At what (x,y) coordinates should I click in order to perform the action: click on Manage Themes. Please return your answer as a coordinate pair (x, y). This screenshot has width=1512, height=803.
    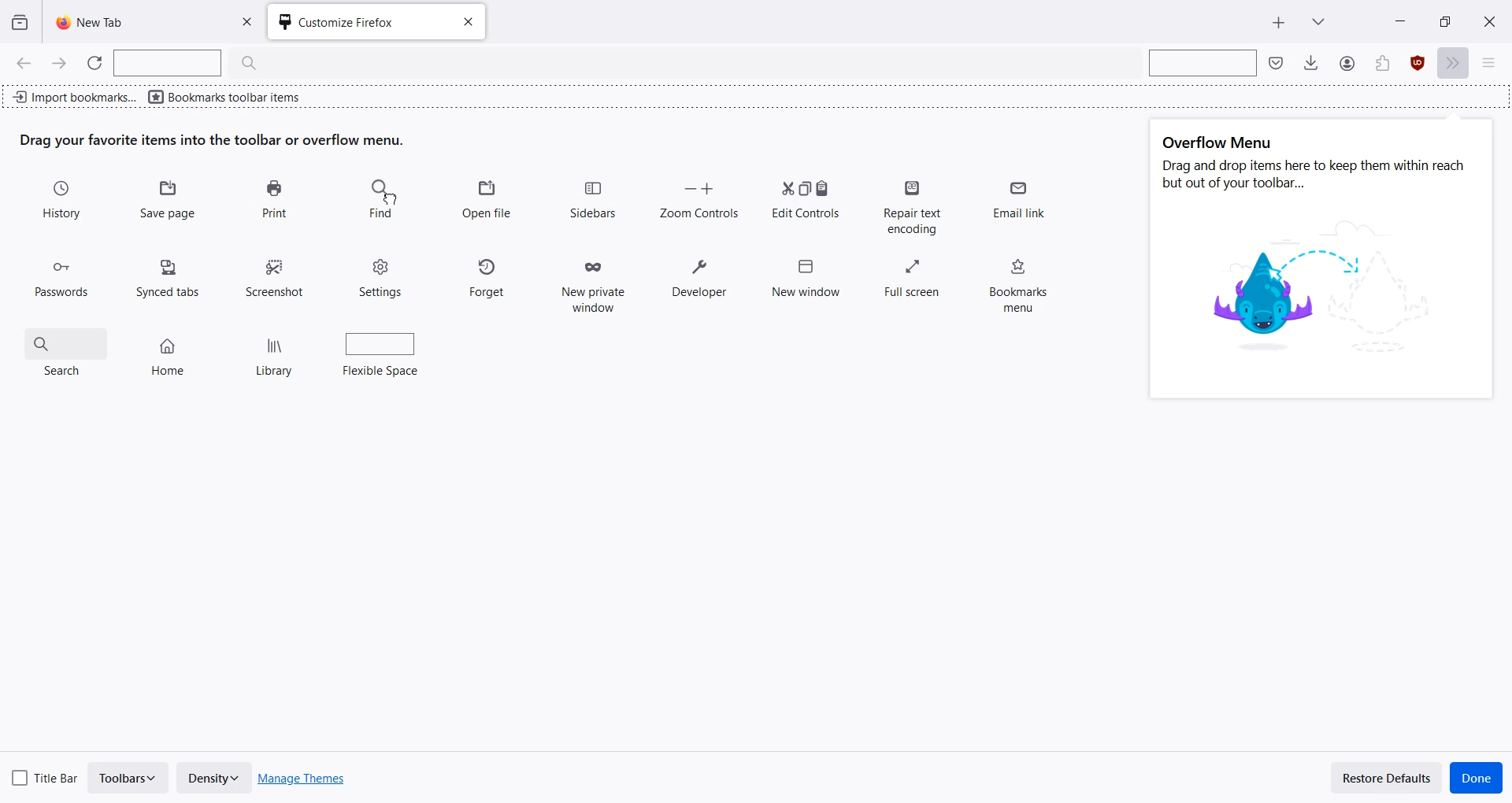
    Looking at the image, I should click on (302, 779).